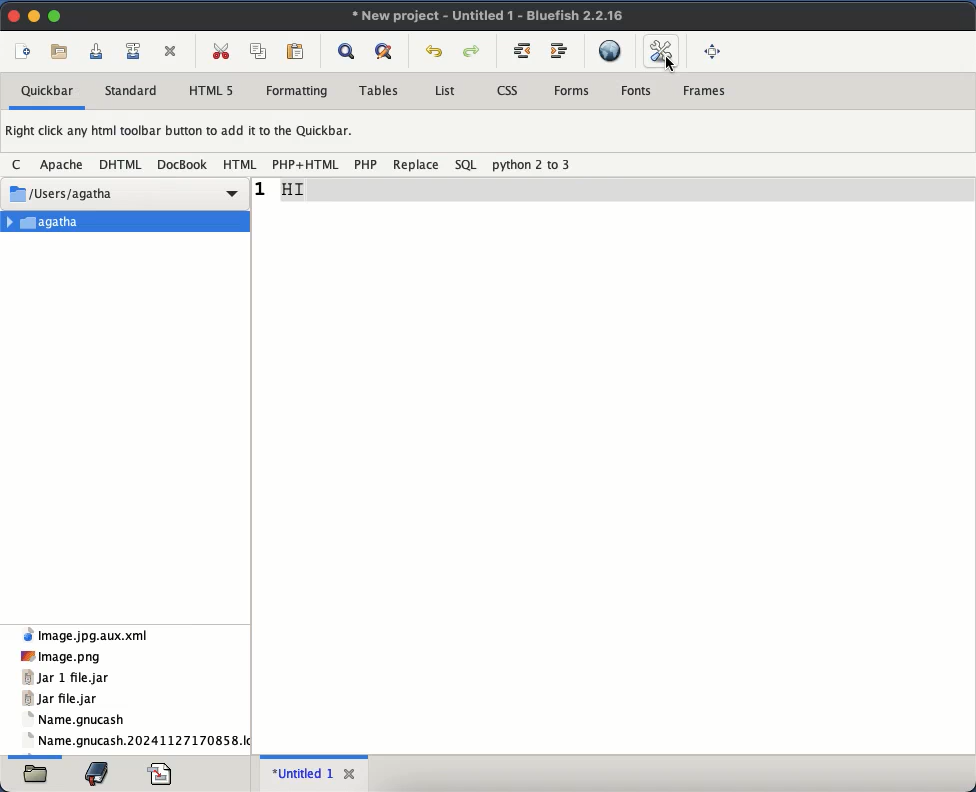 This screenshot has width=976, height=792. Describe the element at coordinates (572, 91) in the screenshot. I see `forms` at that location.